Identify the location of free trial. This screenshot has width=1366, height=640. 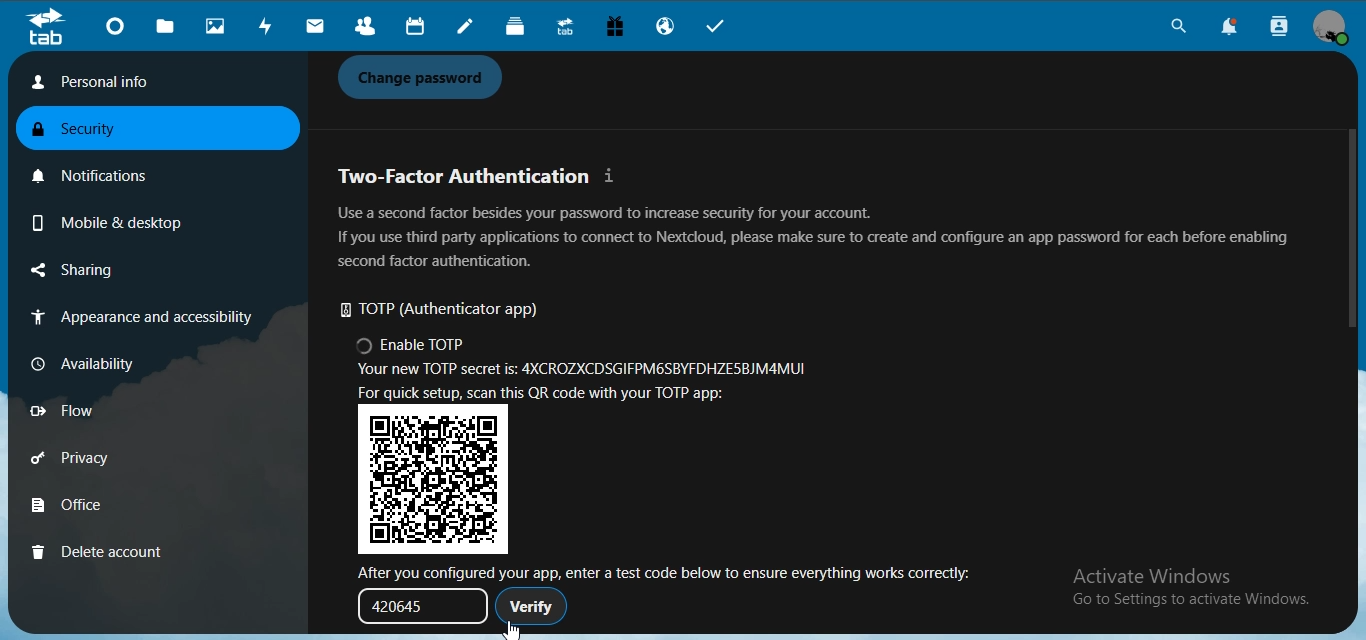
(617, 29).